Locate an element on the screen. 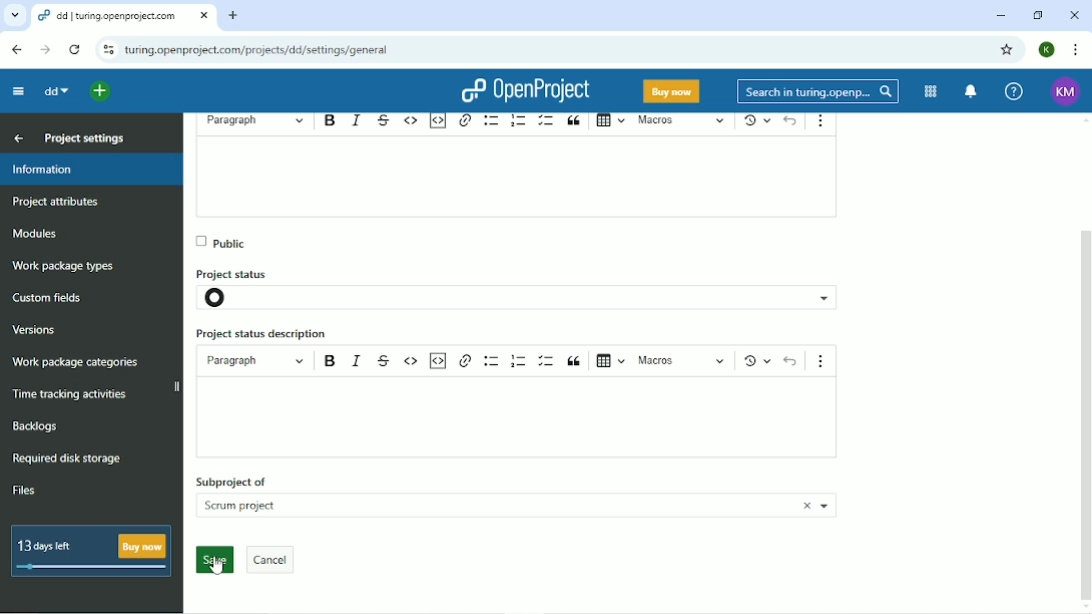 Image resolution: width=1092 pixels, height=614 pixels. Minimize is located at coordinates (1001, 16).